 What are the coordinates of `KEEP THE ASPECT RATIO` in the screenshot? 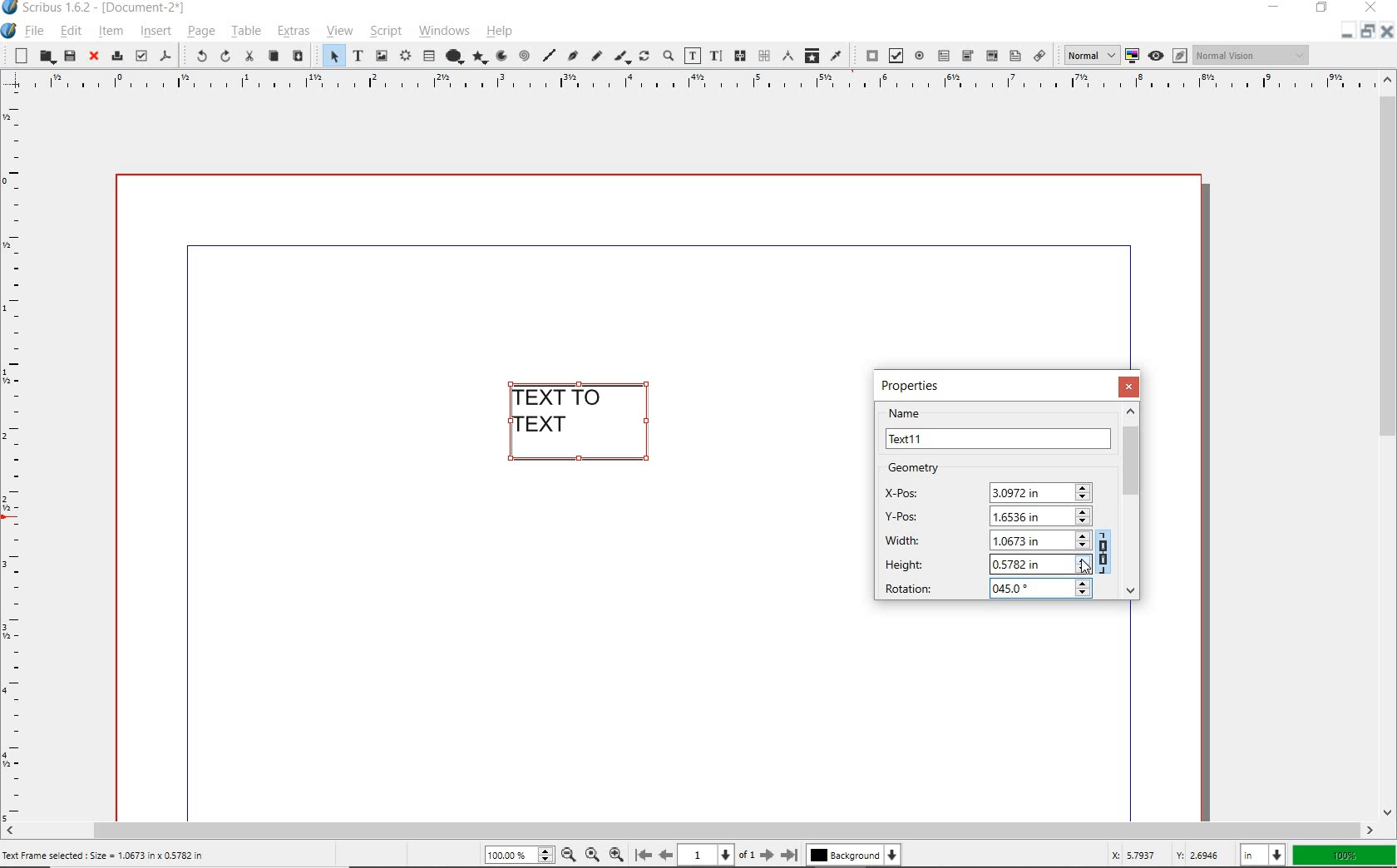 It's located at (1106, 550).